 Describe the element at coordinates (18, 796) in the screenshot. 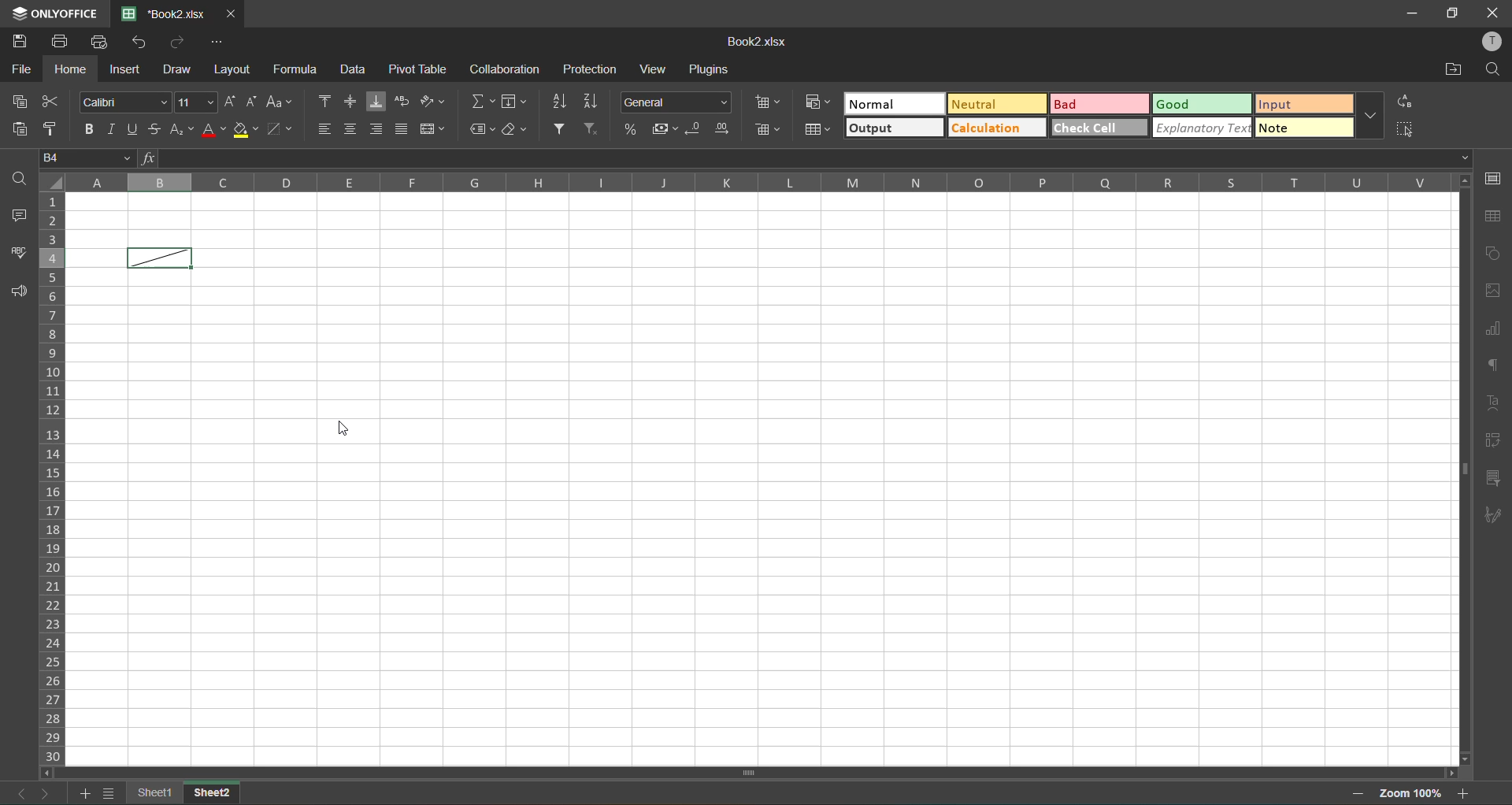

I see `previous` at that location.